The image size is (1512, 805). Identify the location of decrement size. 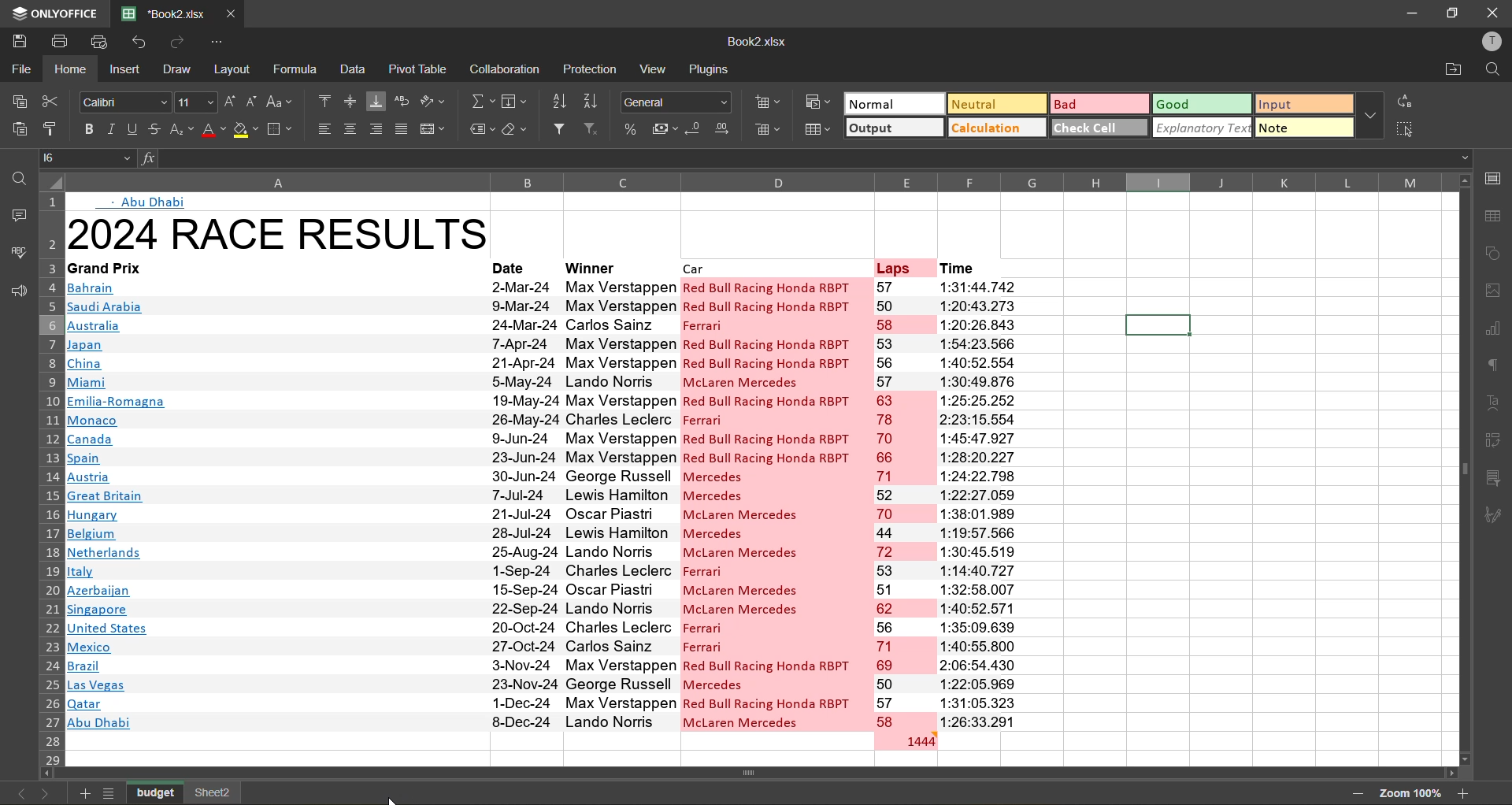
(254, 105).